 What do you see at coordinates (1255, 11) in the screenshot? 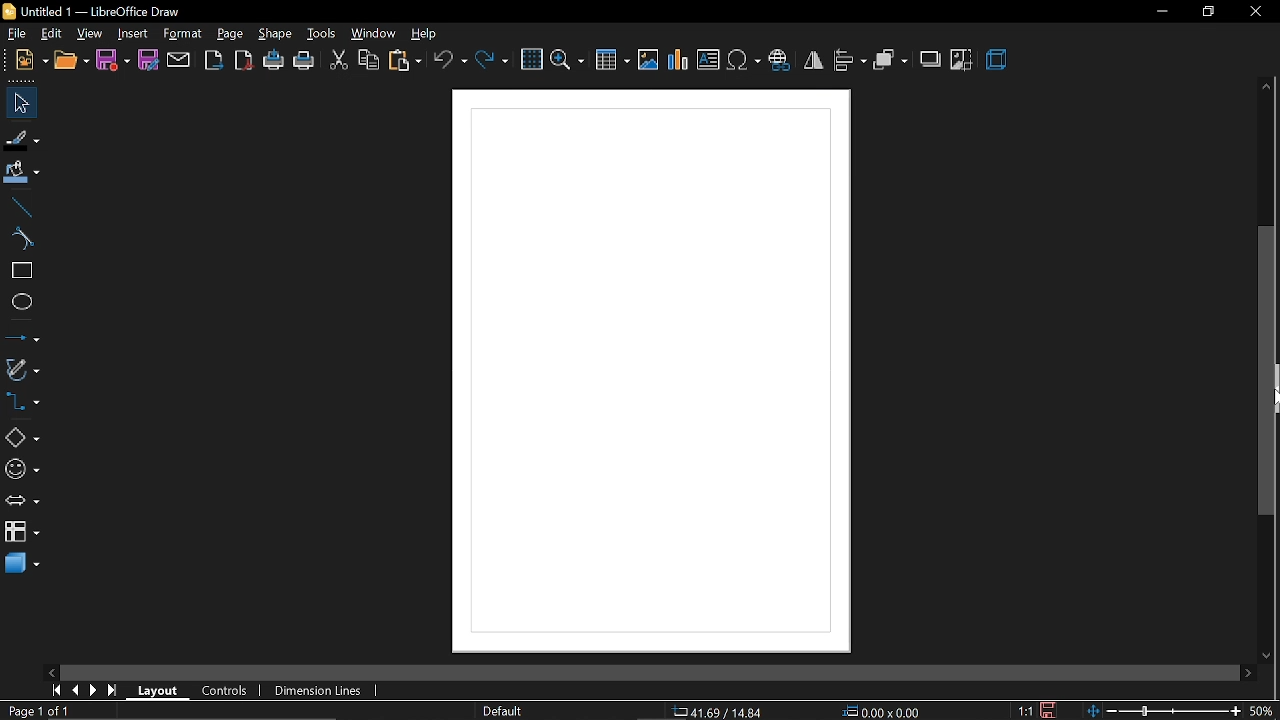
I see `close` at bounding box center [1255, 11].